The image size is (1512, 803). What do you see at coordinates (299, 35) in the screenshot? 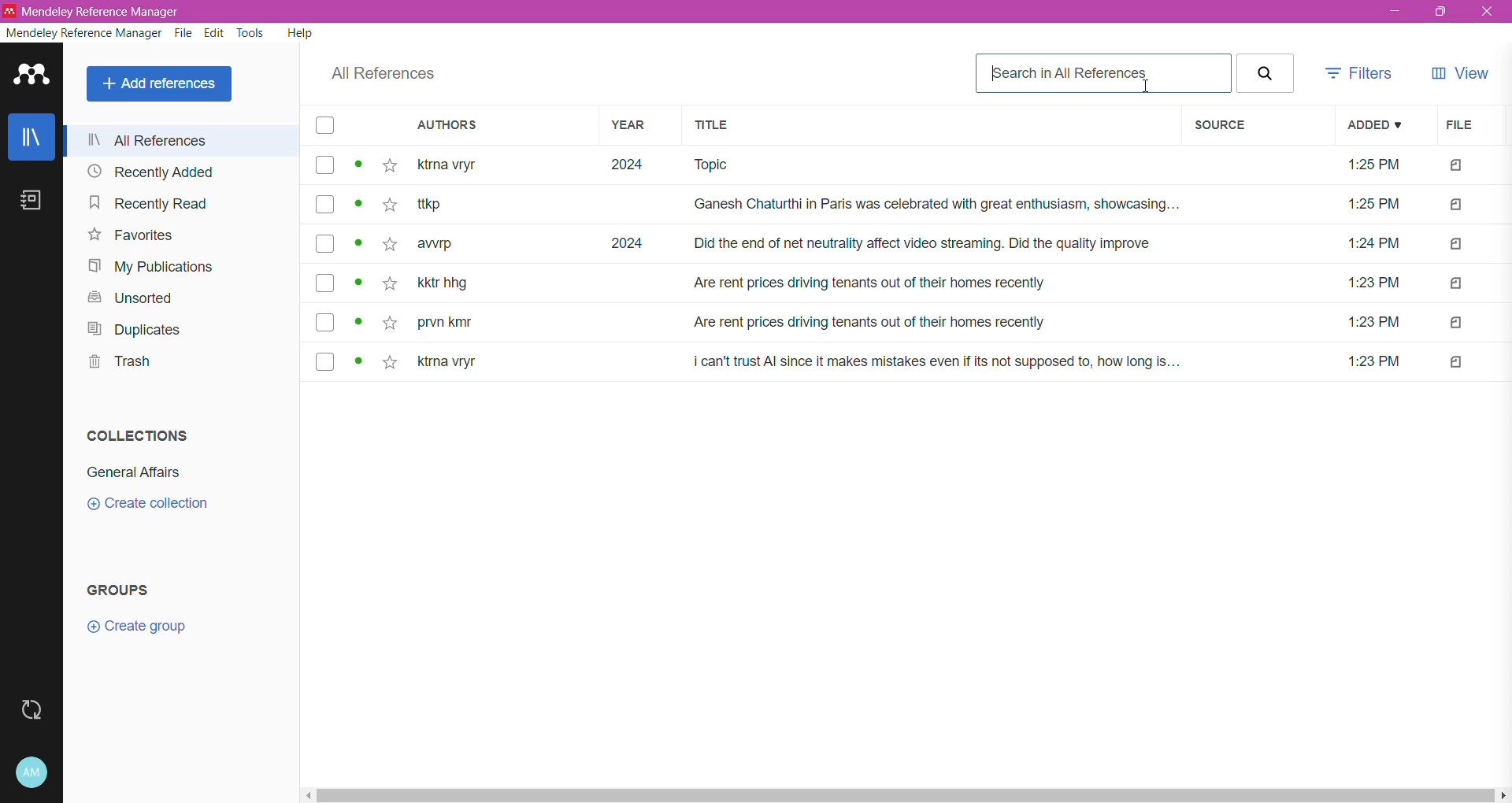
I see `Help` at bounding box center [299, 35].